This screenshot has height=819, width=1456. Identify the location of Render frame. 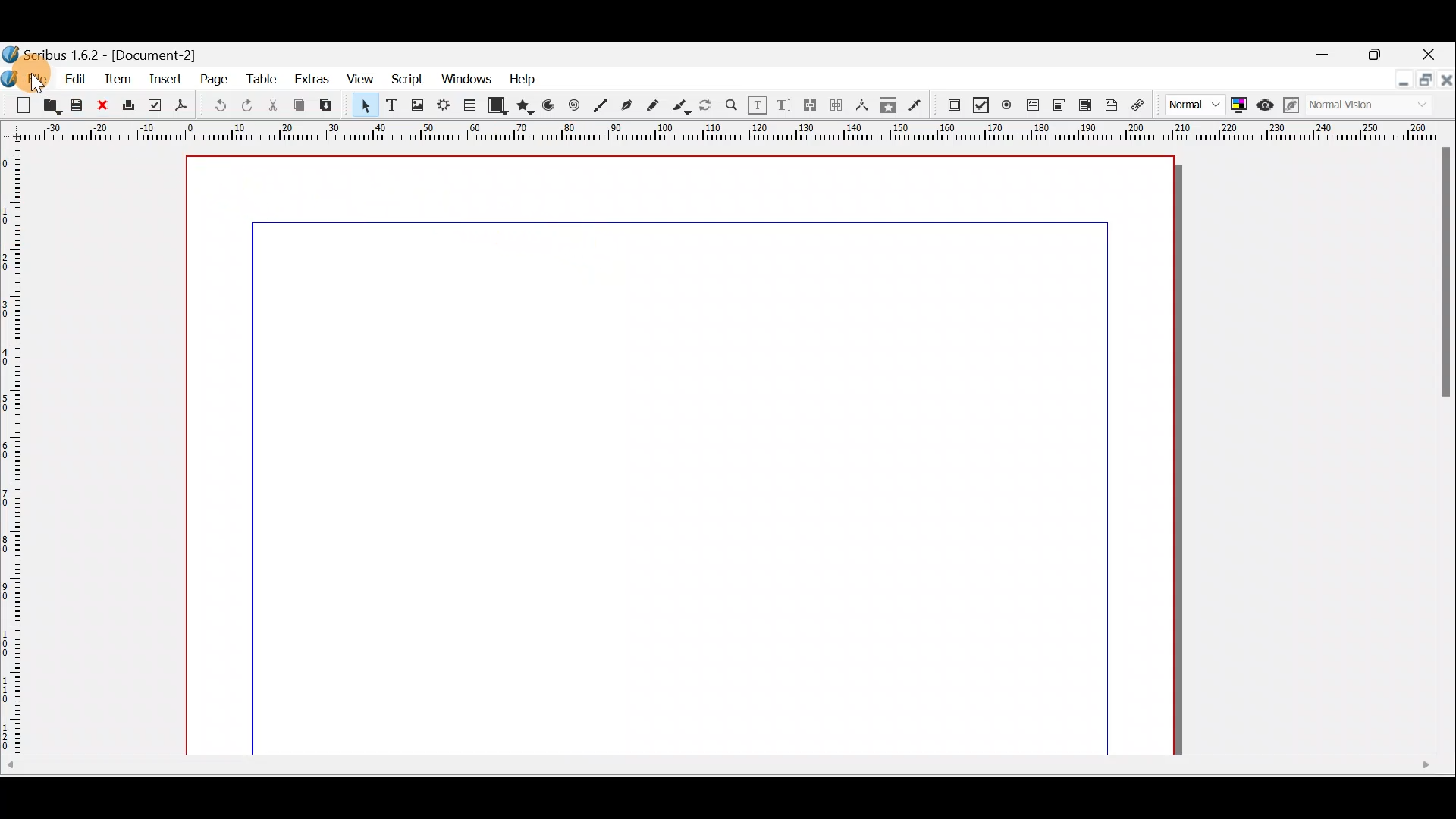
(443, 108).